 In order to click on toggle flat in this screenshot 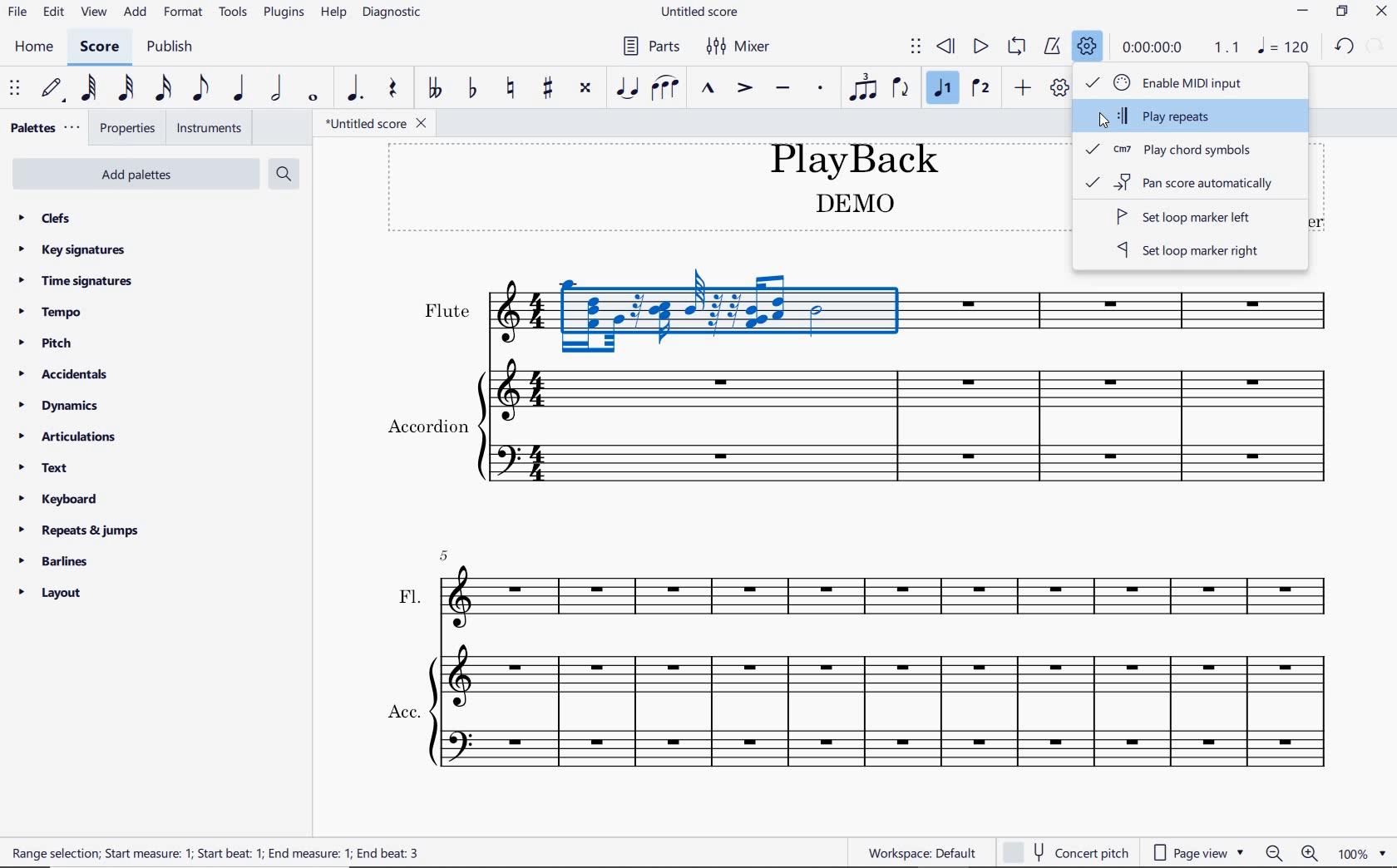, I will do `click(471, 88)`.